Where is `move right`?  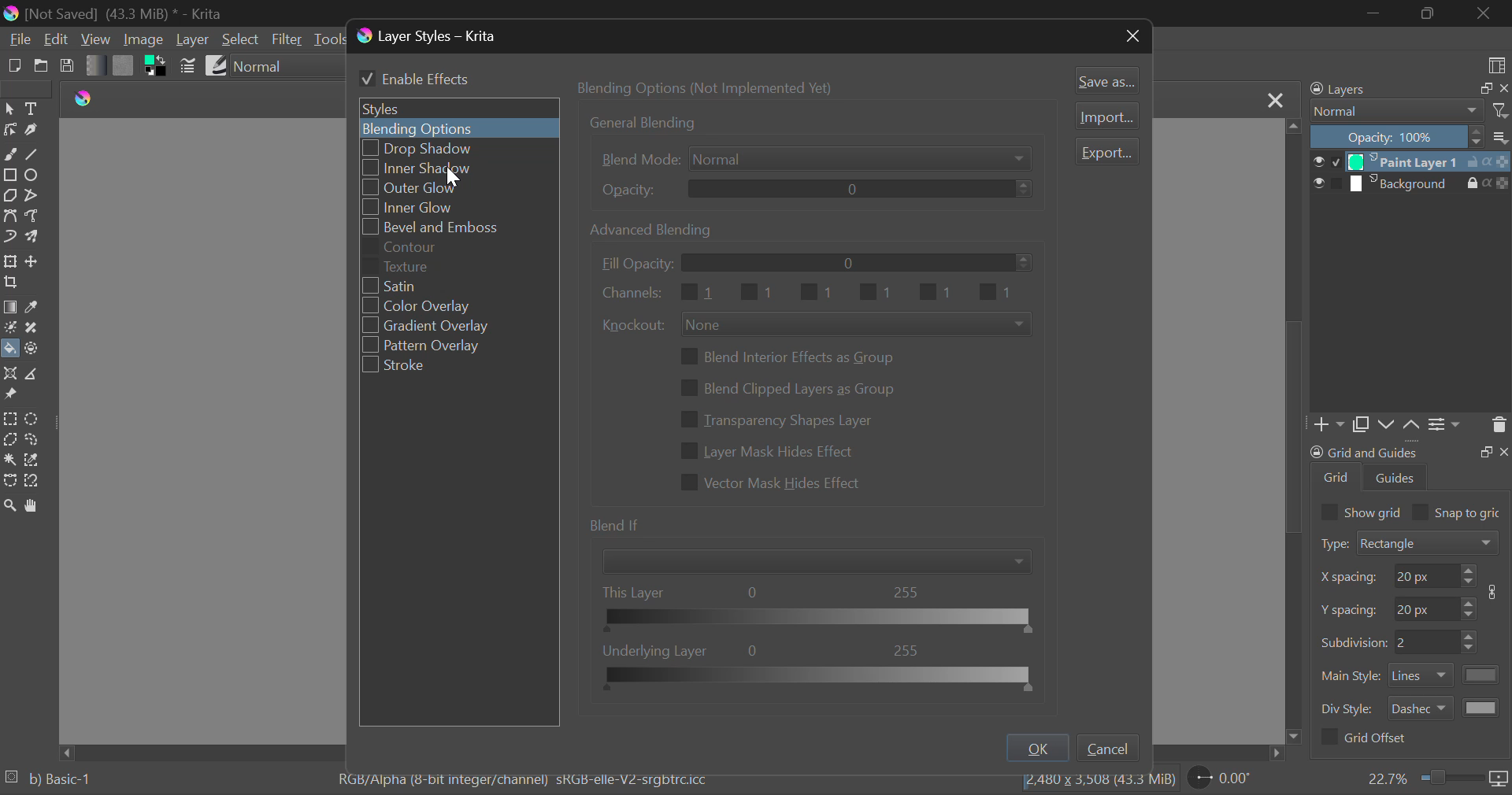
move right is located at coordinates (1264, 753).